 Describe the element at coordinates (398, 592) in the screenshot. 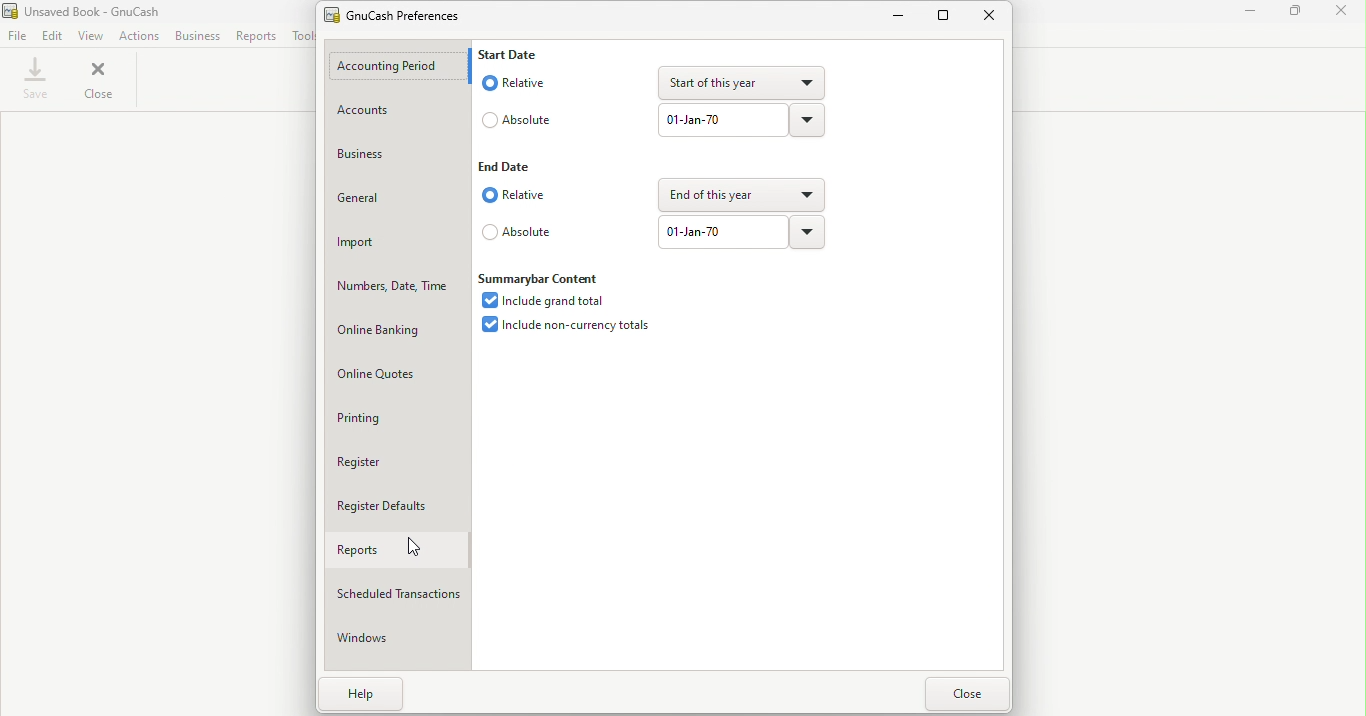

I see `Scheduled transactions` at that location.